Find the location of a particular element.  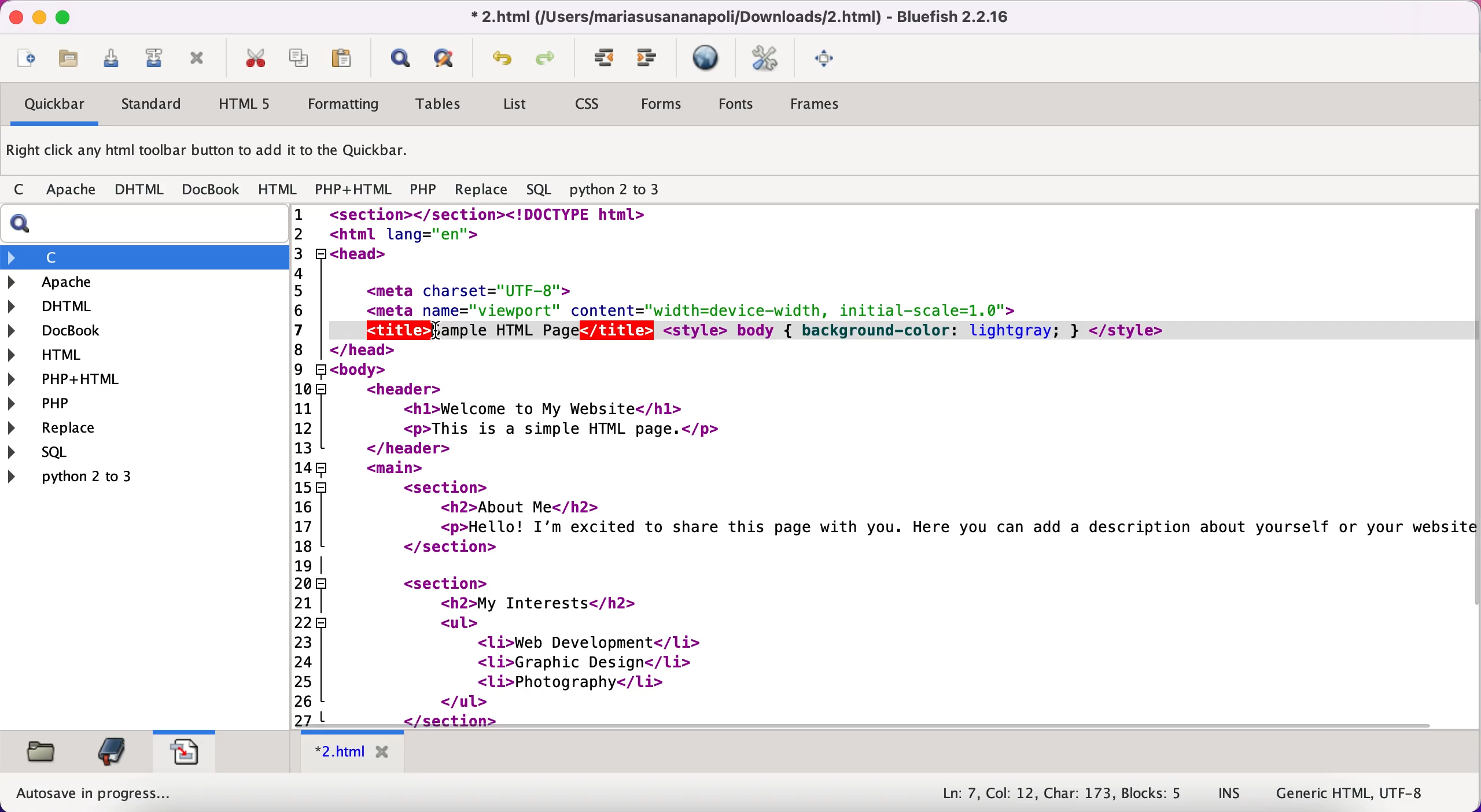

unindent is located at coordinates (648, 58).